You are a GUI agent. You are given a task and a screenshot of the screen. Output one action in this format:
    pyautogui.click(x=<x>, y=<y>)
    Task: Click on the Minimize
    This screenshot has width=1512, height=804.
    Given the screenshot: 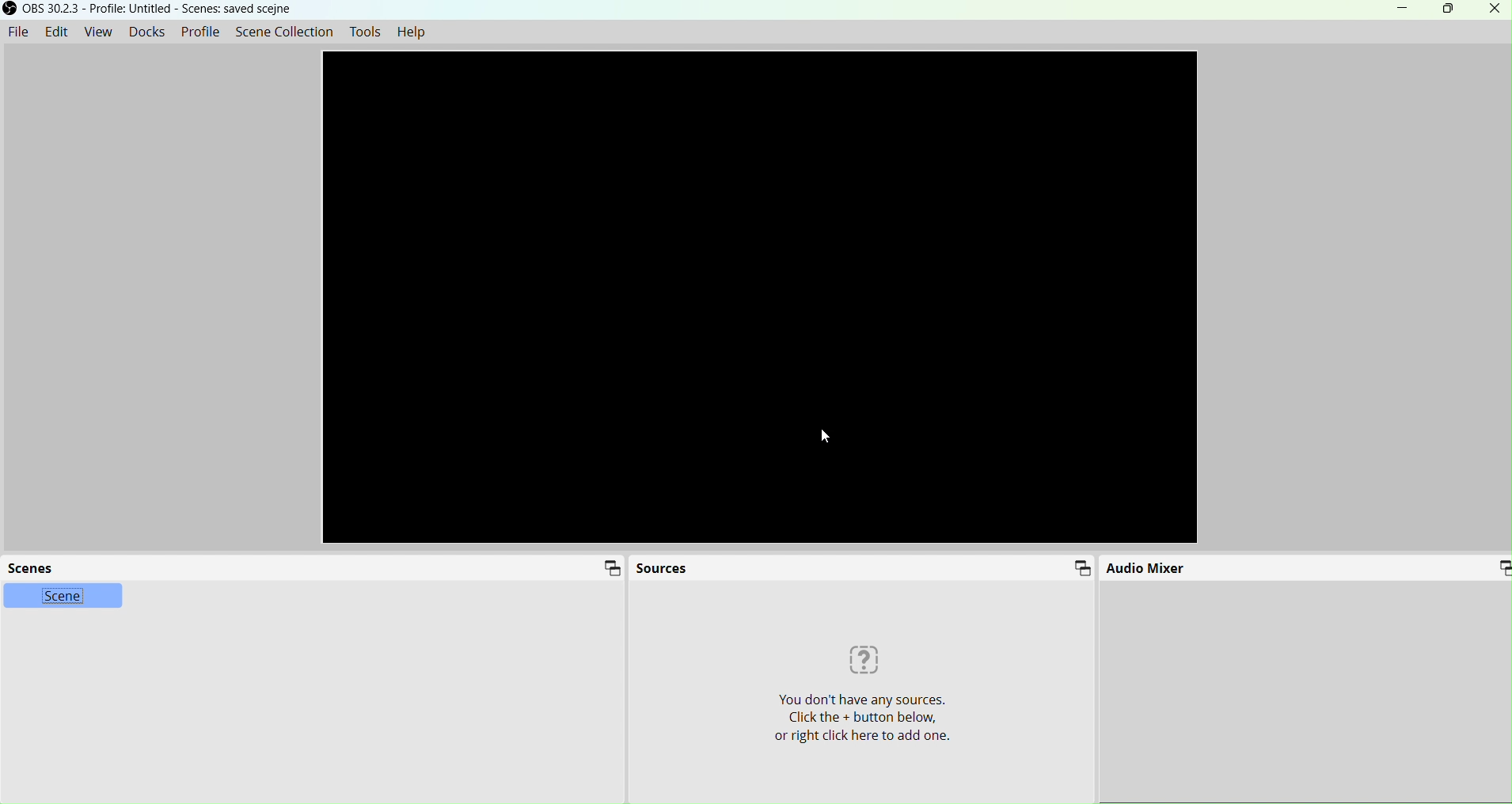 What is the action you would take?
    pyautogui.click(x=610, y=568)
    